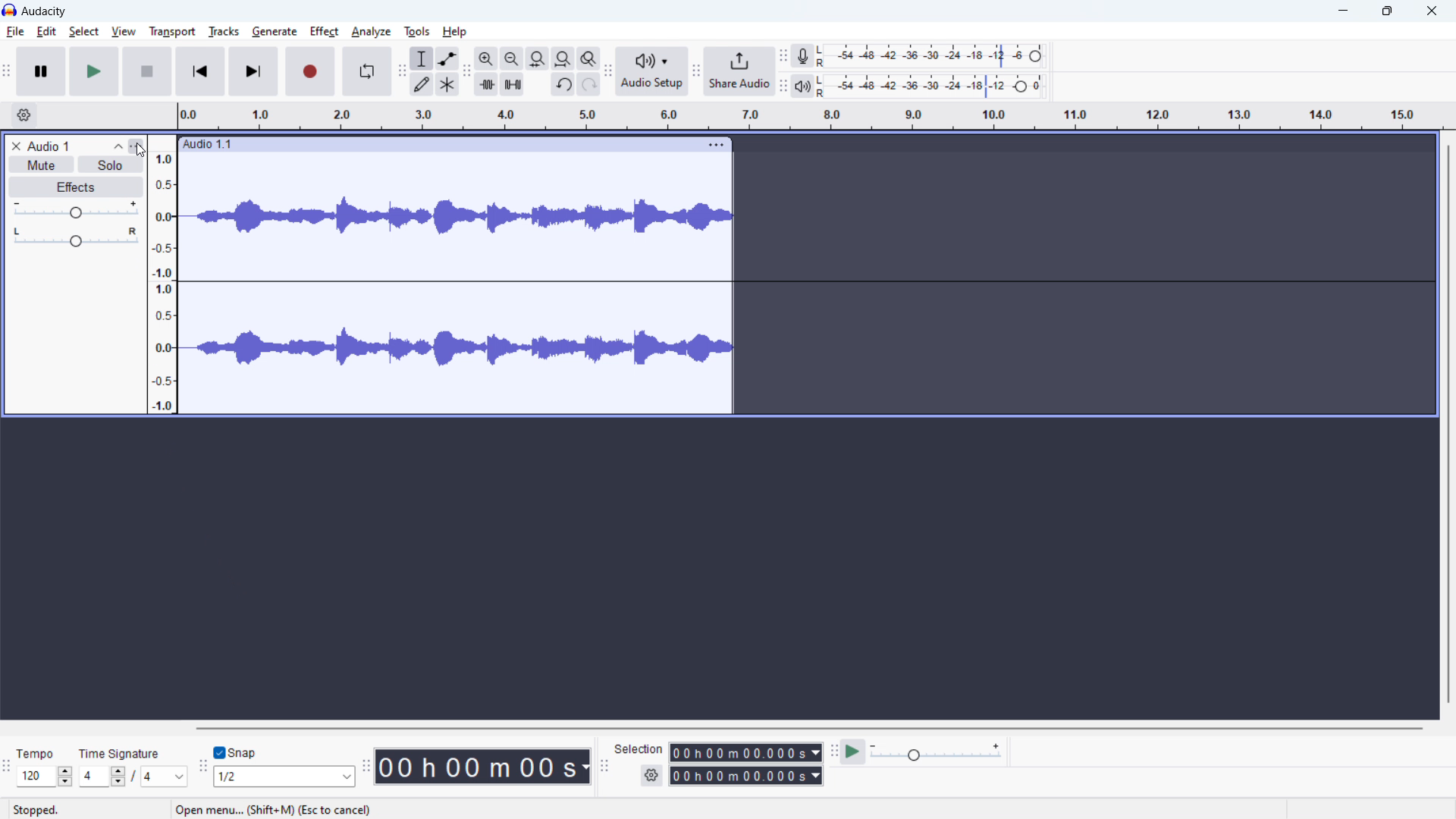 This screenshot has width=1456, height=819. I want to click on logo, so click(9, 10).